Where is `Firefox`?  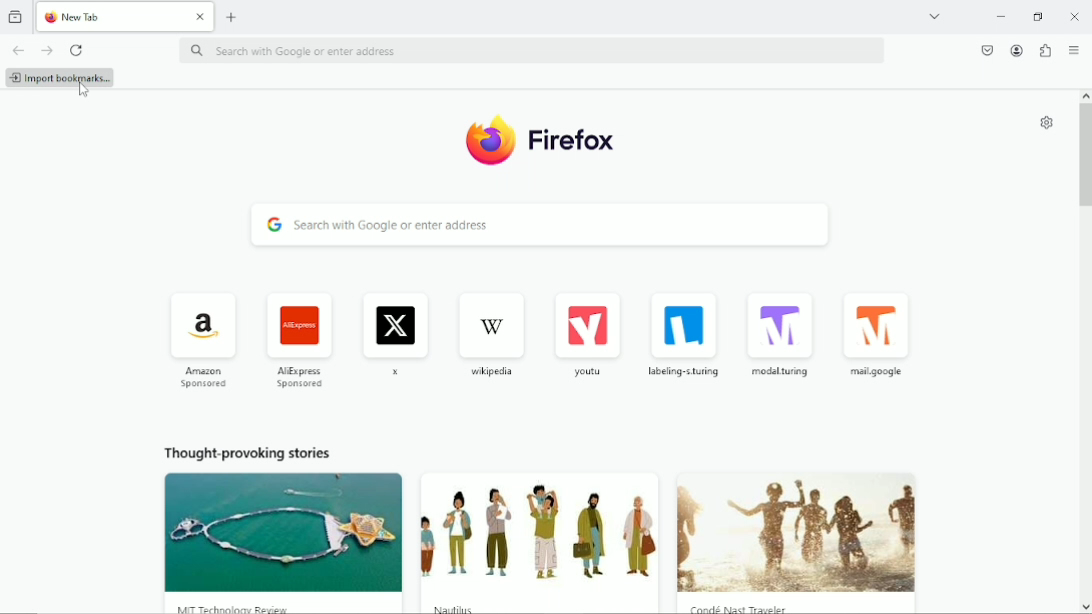
Firefox is located at coordinates (574, 140).